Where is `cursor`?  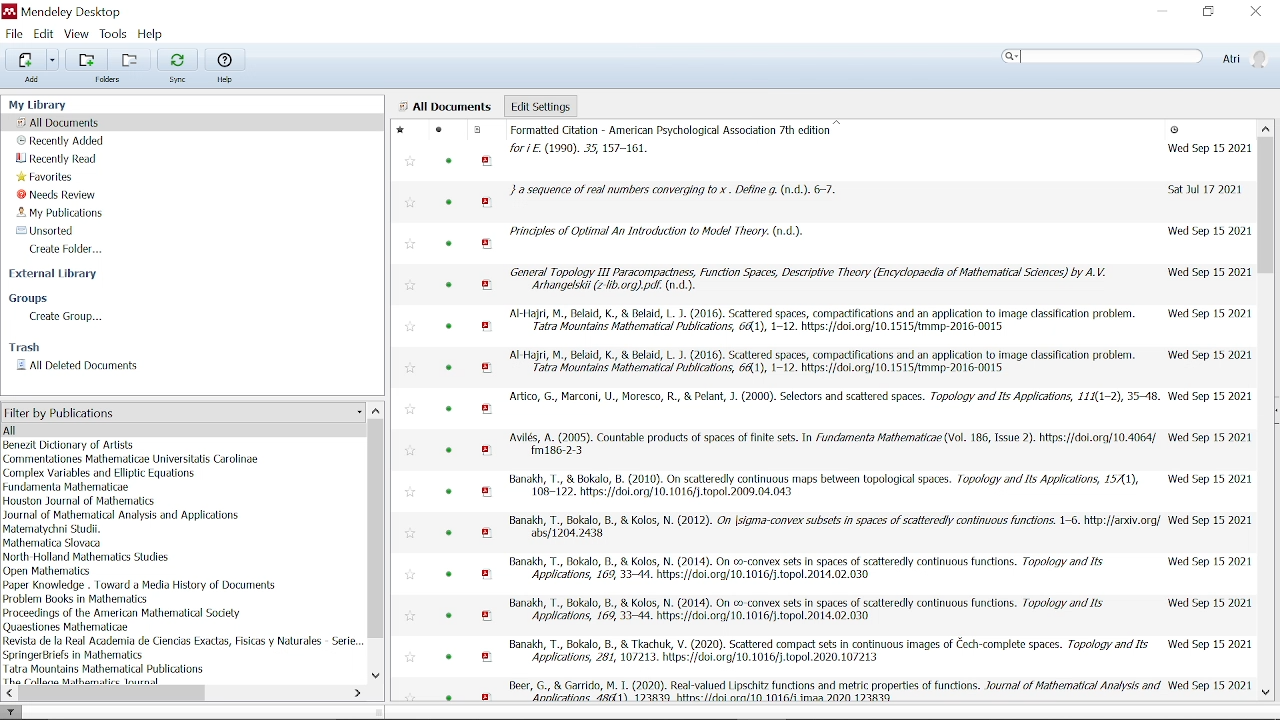
cursor is located at coordinates (1023, 56).